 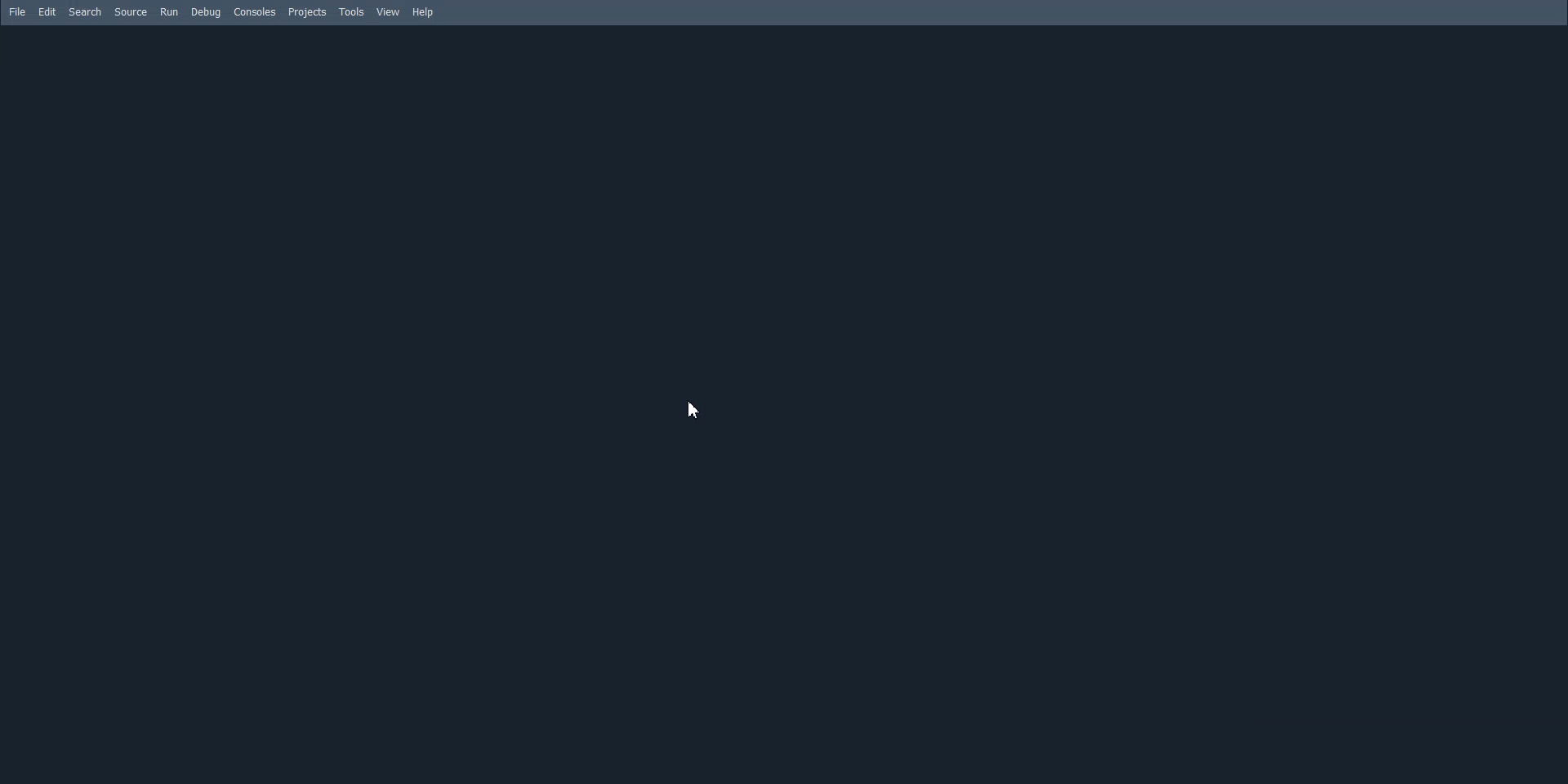 What do you see at coordinates (389, 12) in the screenshot?
I see `View` at bounding box center [389, 12].